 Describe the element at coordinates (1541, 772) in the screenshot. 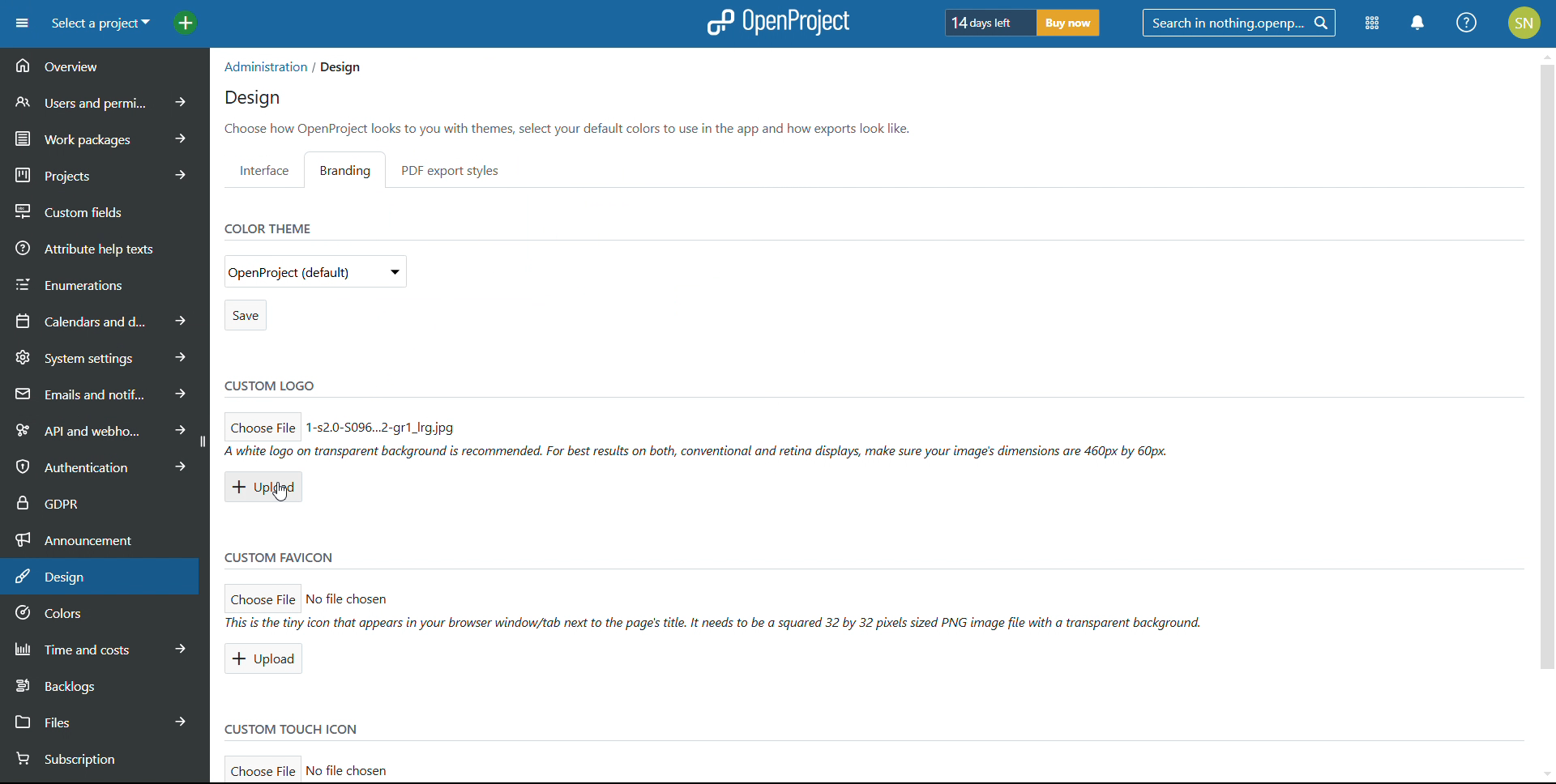

I see `scroll down` at that location.